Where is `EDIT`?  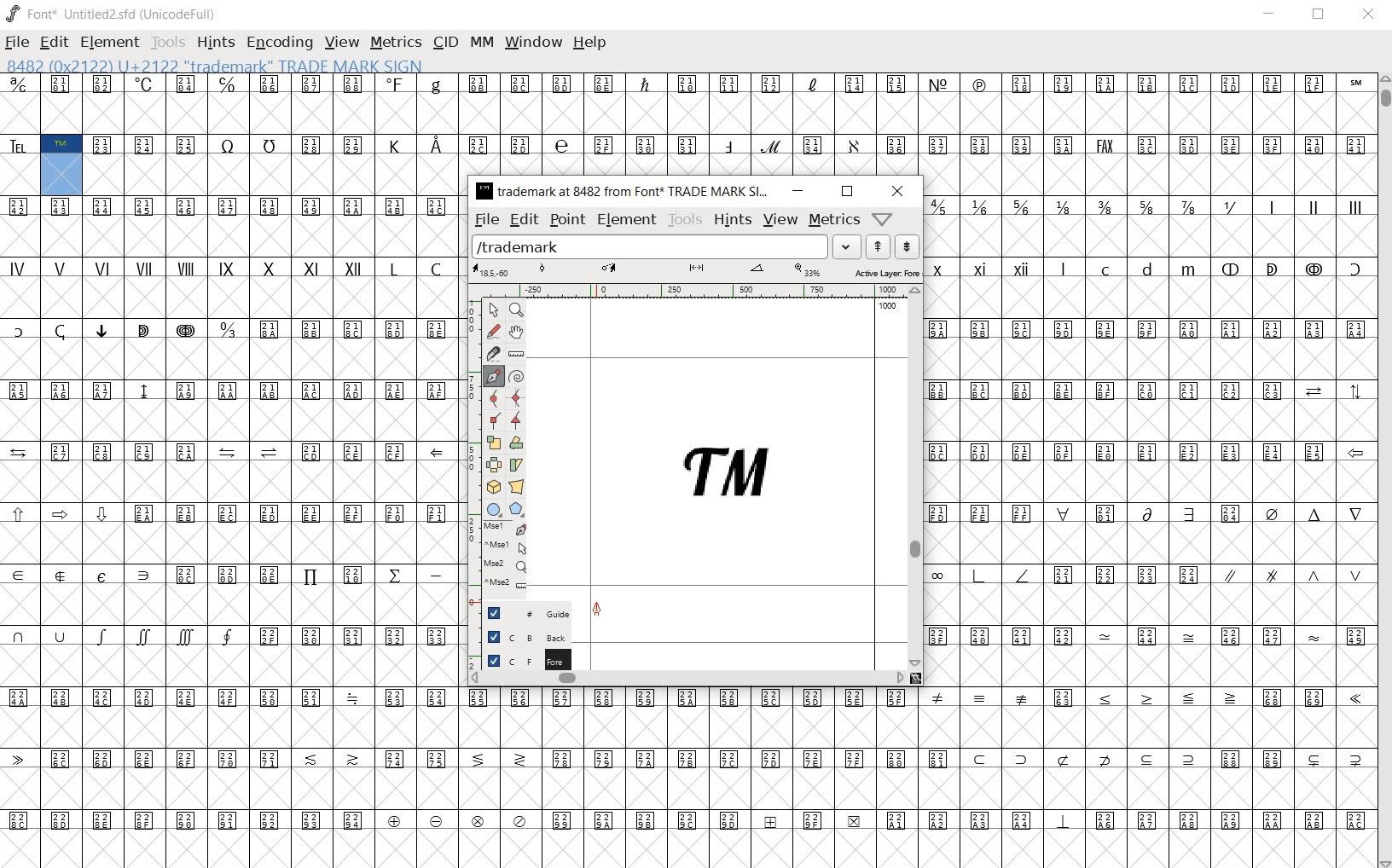
EDIT is located at coordinates (54, 42).